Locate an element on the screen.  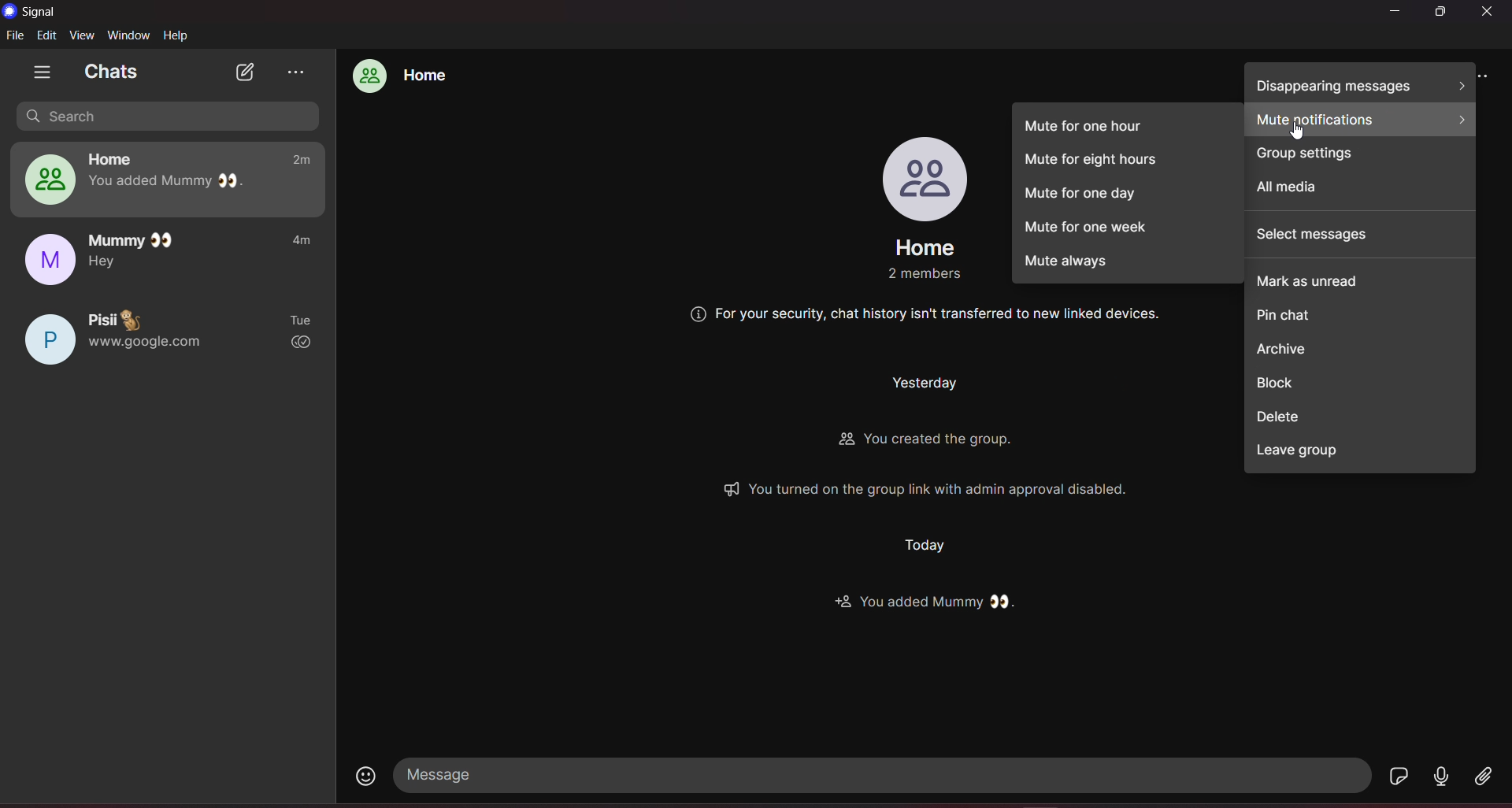
home group chat is located at coordinates (173, 178).